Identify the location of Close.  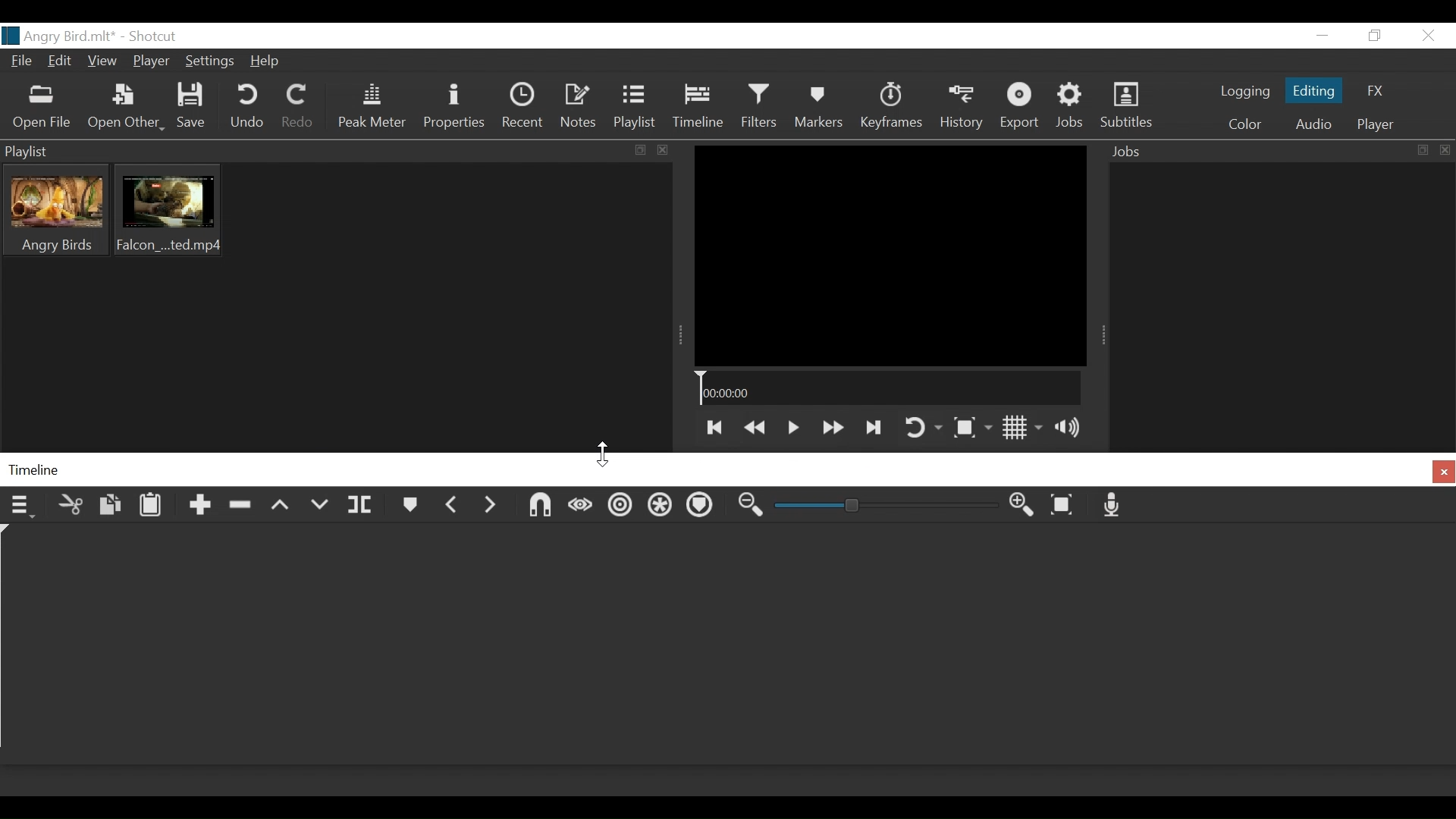
(1427, 35).